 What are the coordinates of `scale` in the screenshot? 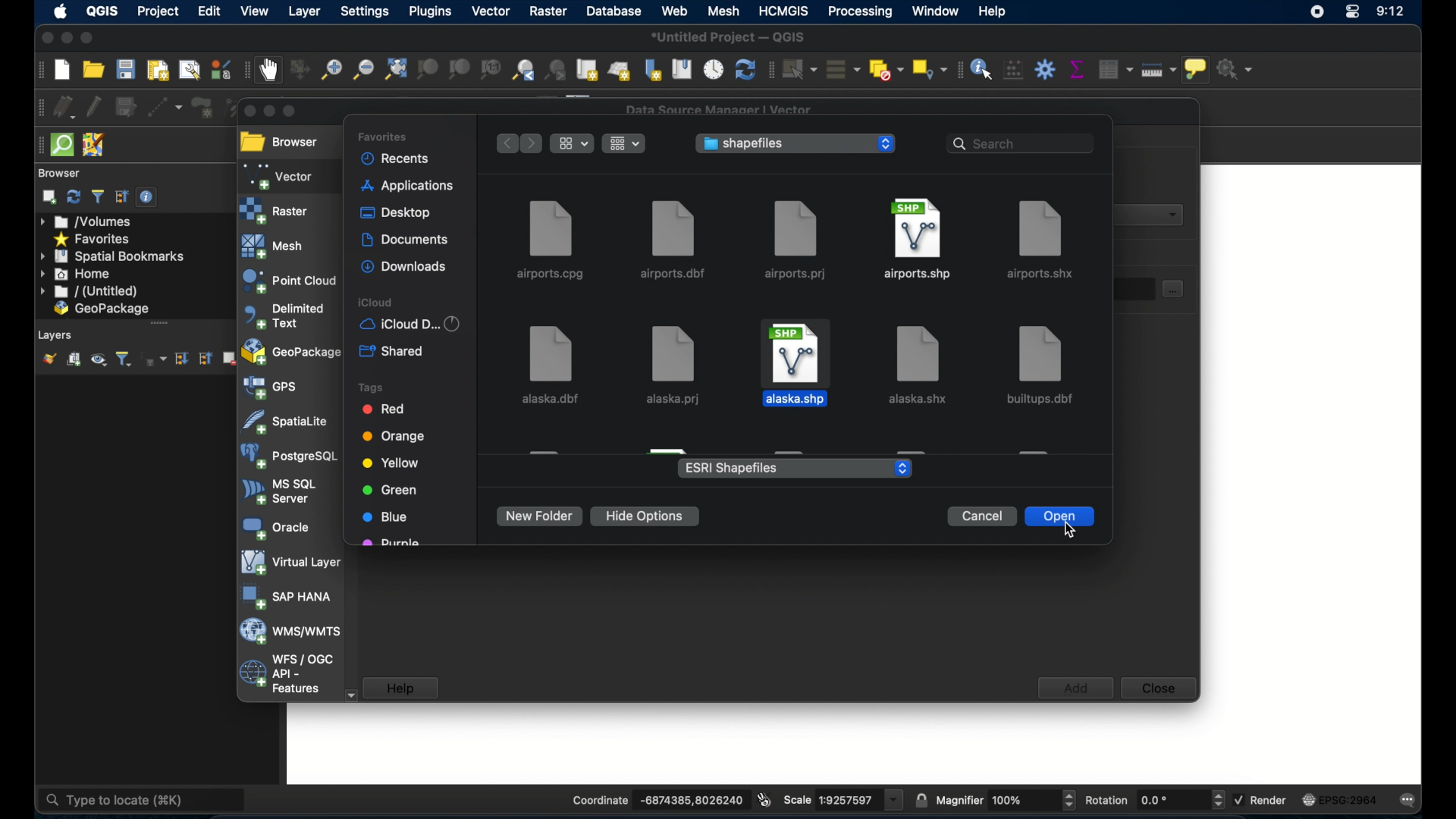 It's located at (843, 799).